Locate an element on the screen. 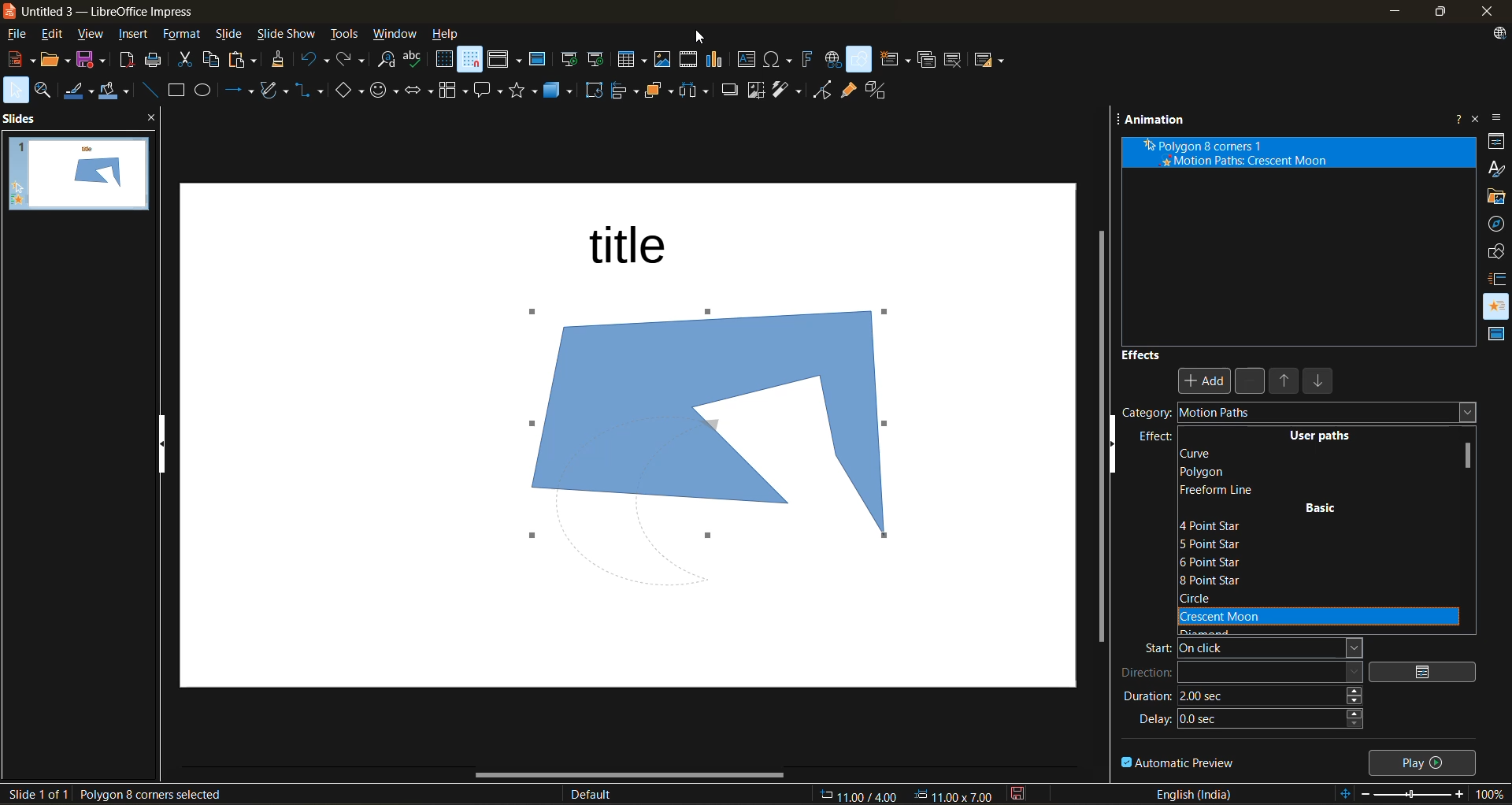 The image size is (1512, 805). toggle extrusion is located at coordinates (876, 91).